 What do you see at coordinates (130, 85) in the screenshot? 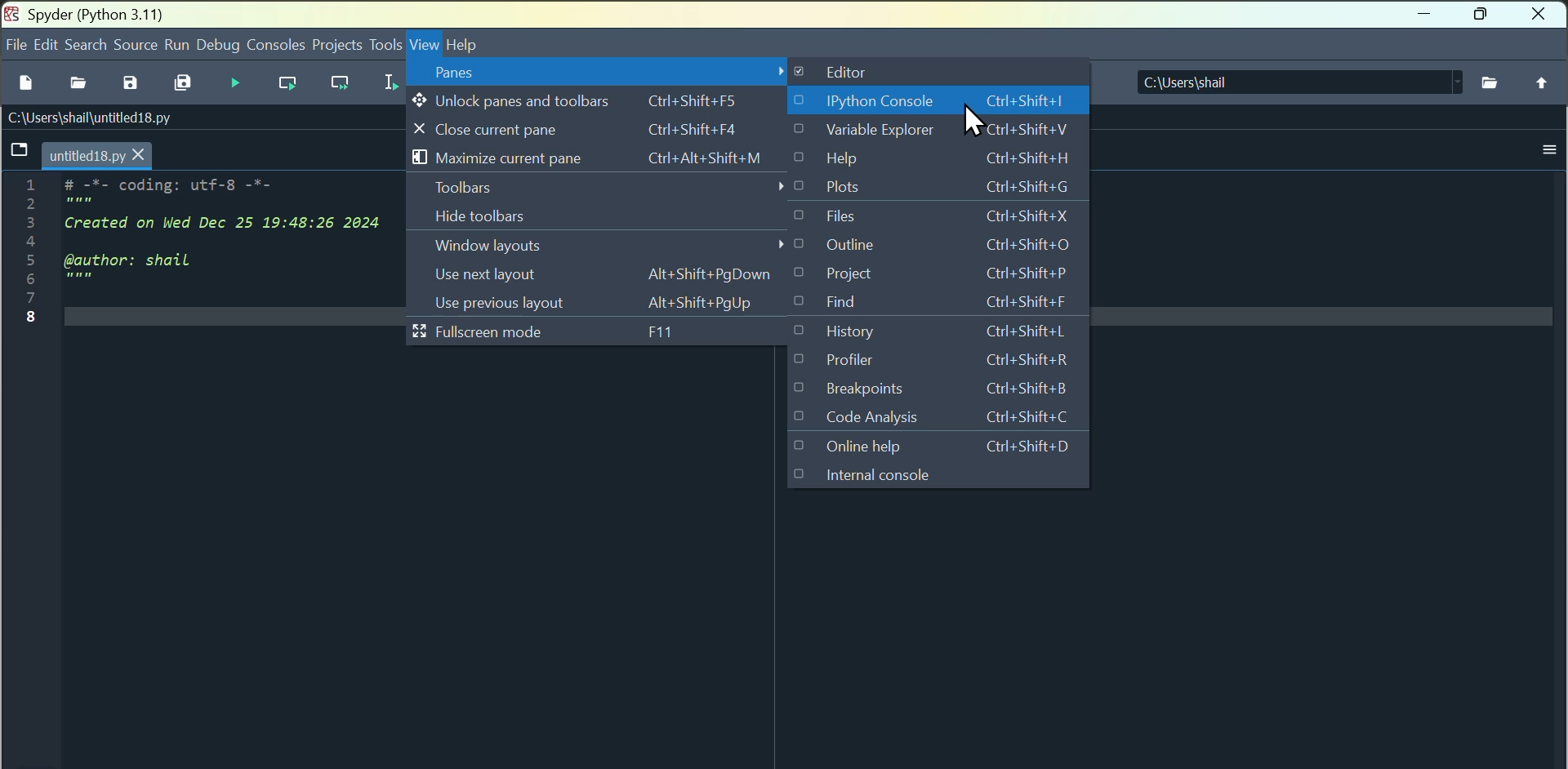
I see `save` at bounding box center [130, 85].